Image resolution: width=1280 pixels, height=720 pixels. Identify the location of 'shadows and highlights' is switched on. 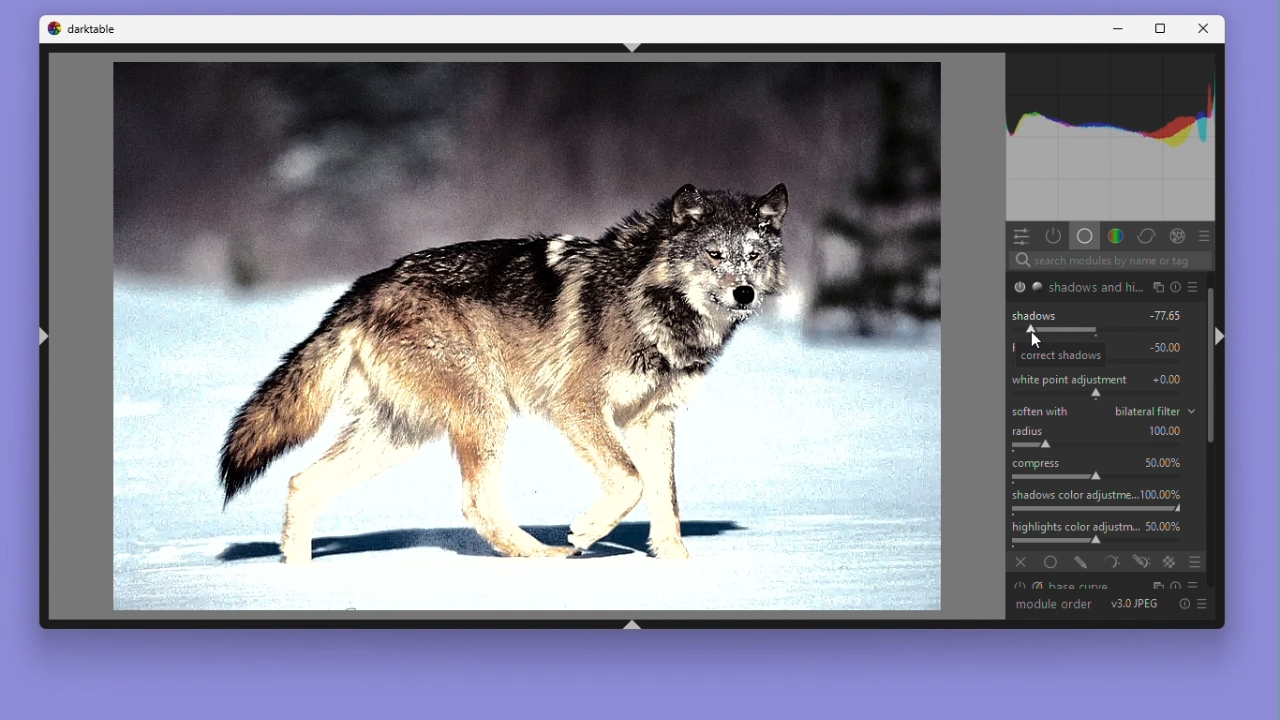
(1026, 288).